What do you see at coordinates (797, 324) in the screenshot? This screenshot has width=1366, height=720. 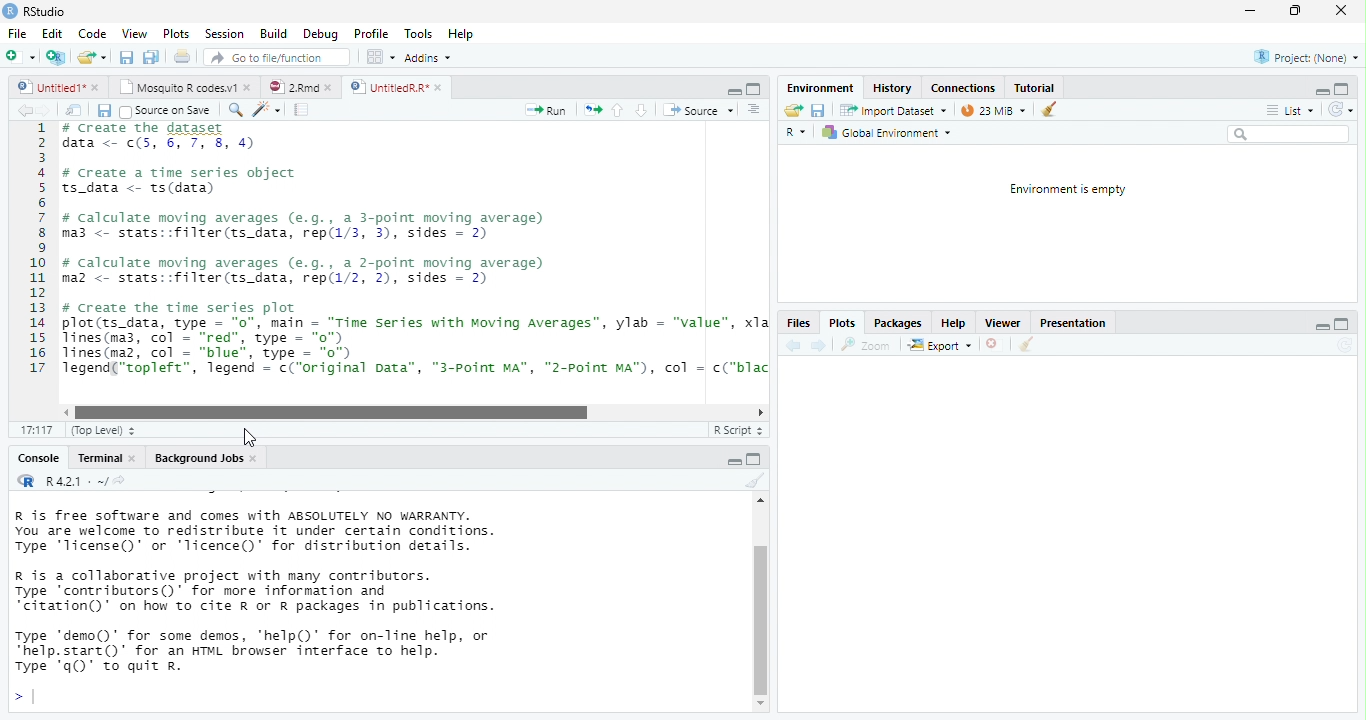 I see `Files` at bounding box center [797, 324].